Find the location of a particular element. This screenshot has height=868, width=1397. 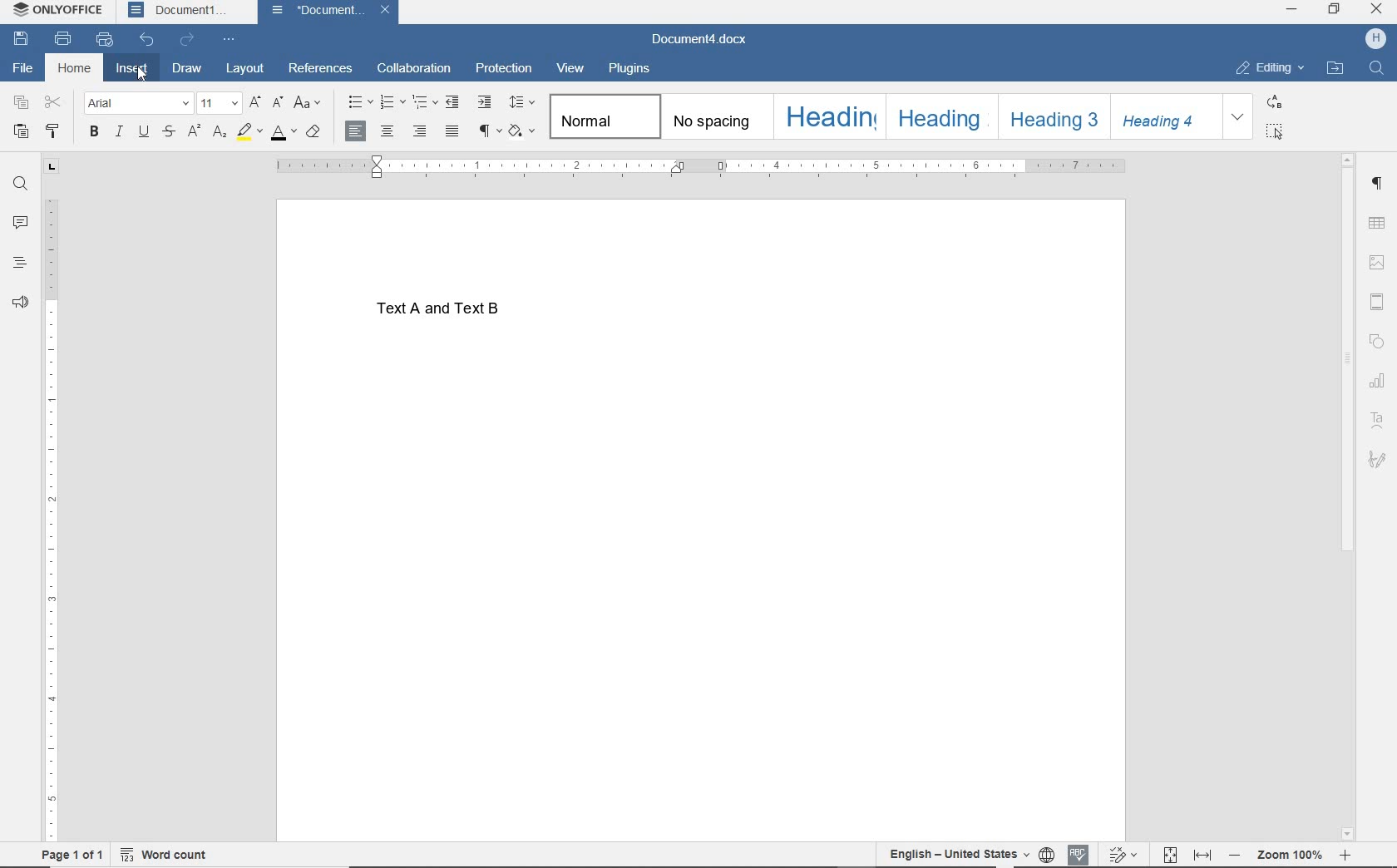

TEXT is located at coordinates (456, 313).